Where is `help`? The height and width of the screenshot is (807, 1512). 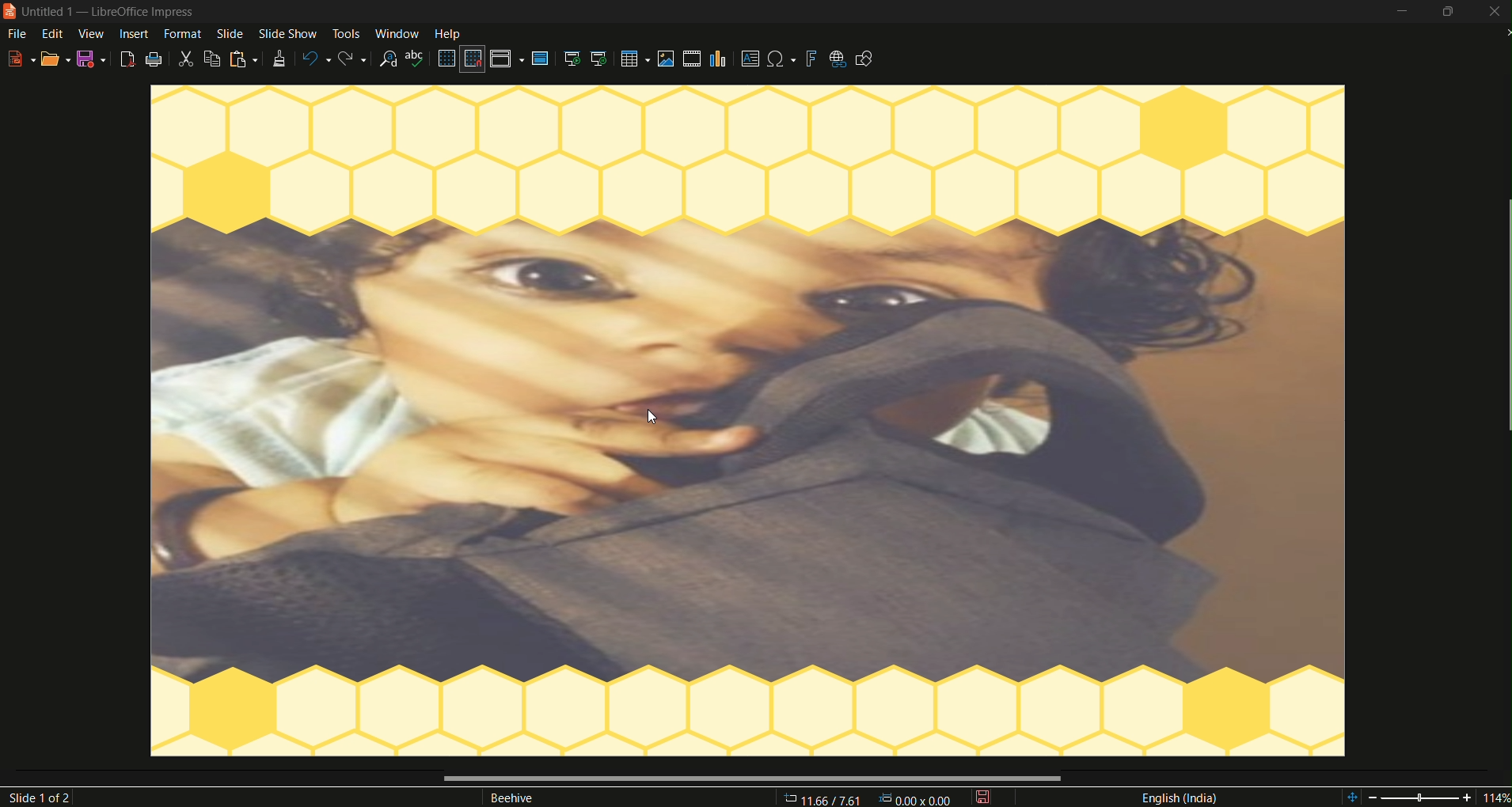
help is located at coordinates (452, 33).